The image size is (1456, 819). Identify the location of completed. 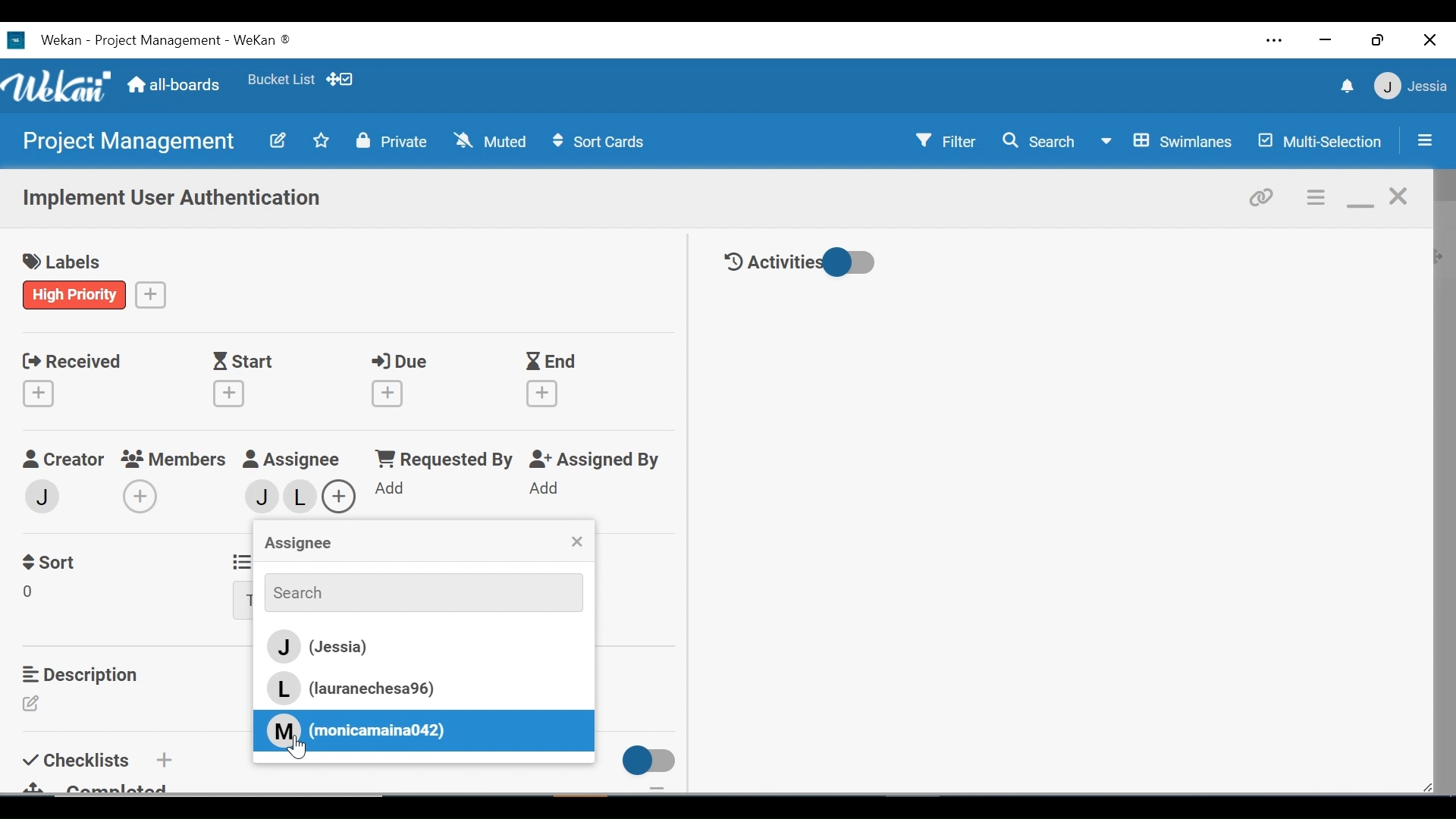
(105, 786).